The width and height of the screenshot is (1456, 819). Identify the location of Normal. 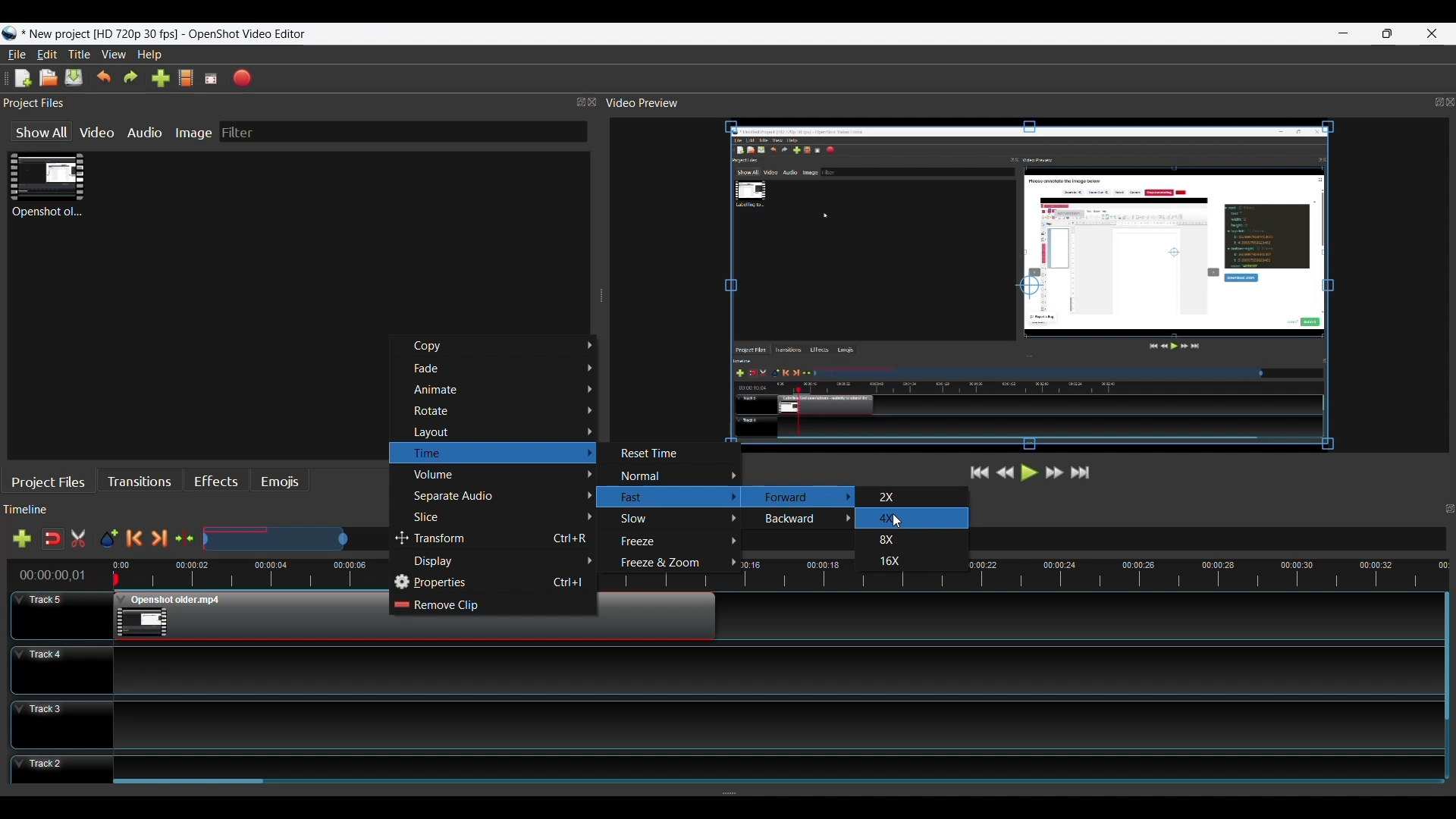
(676, 476).